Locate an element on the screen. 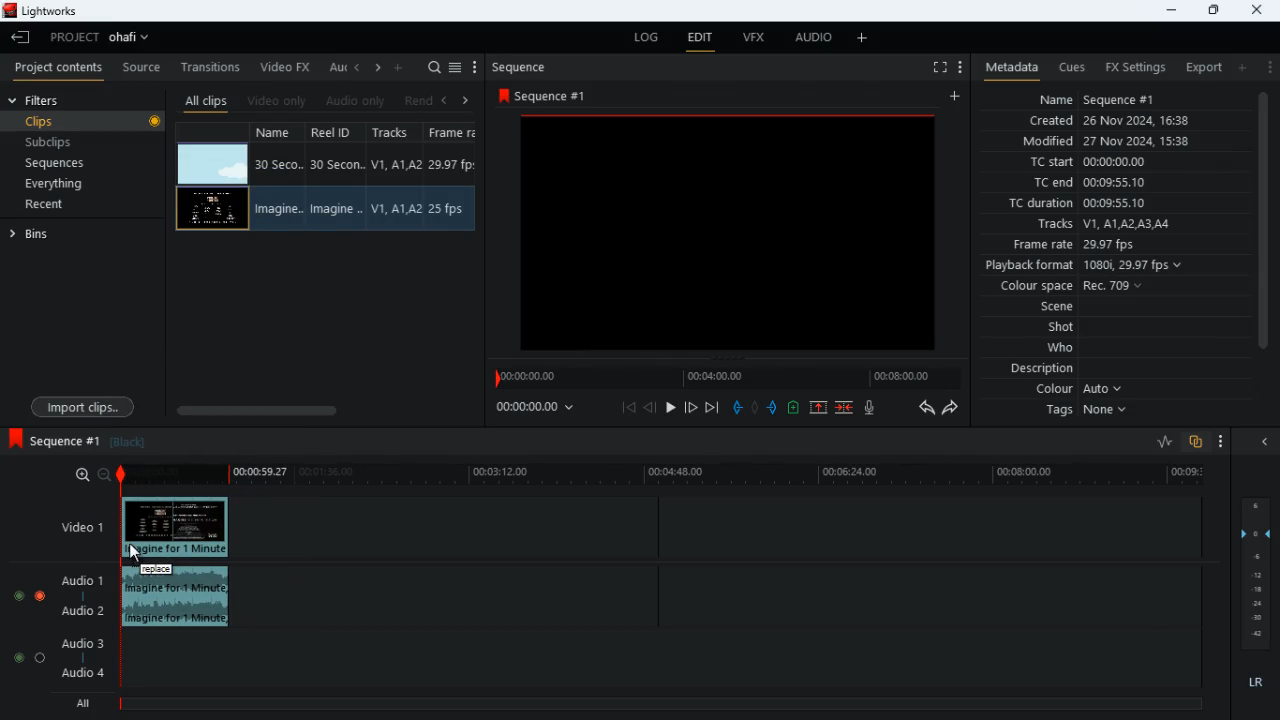 The width and height of the screenshot is (1280, 720). au is located at coordinates (338, 66).